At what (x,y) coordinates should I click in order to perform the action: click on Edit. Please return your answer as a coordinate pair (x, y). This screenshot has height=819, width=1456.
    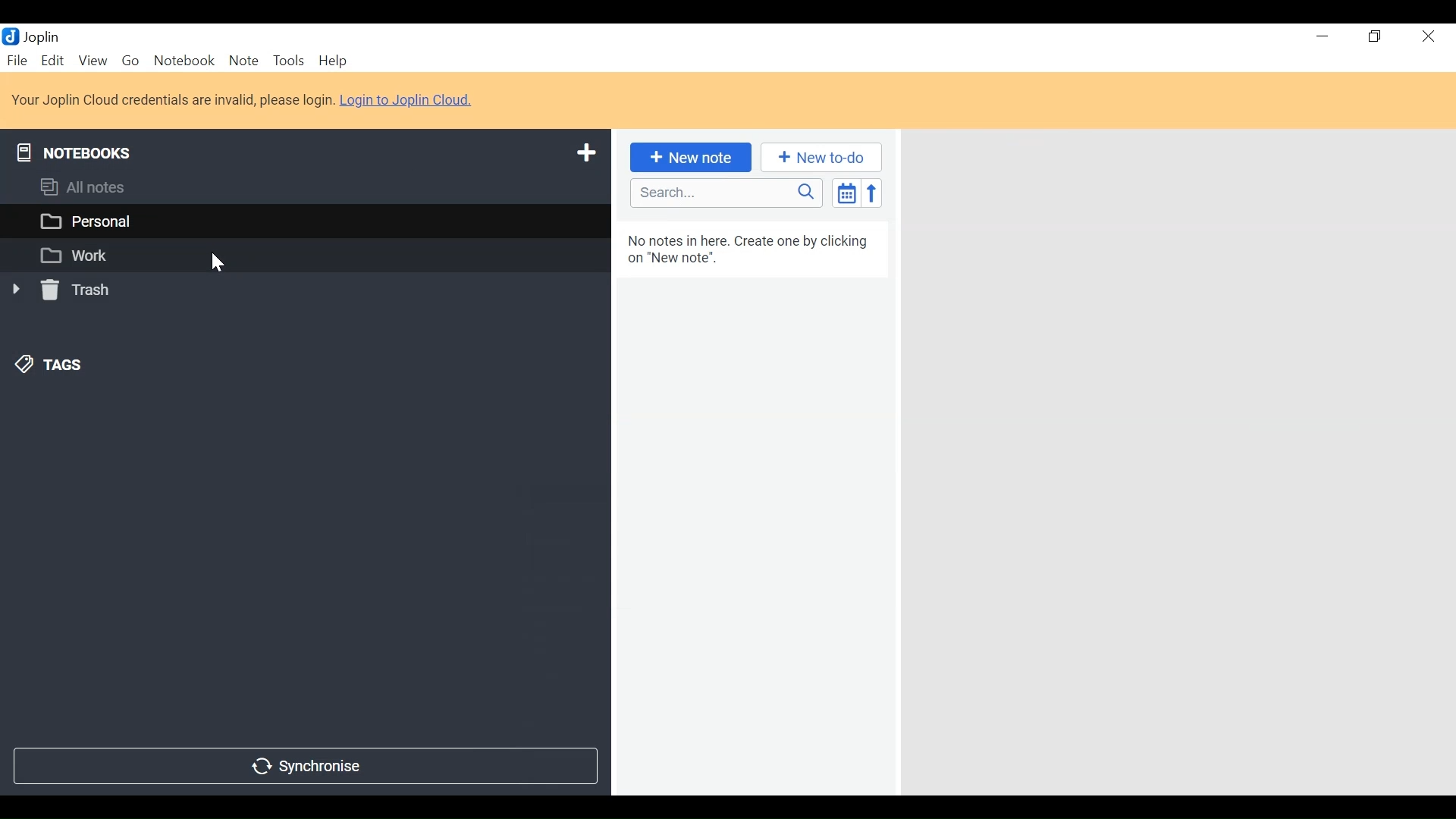
    Looking at the image, I should click on (54, 60).